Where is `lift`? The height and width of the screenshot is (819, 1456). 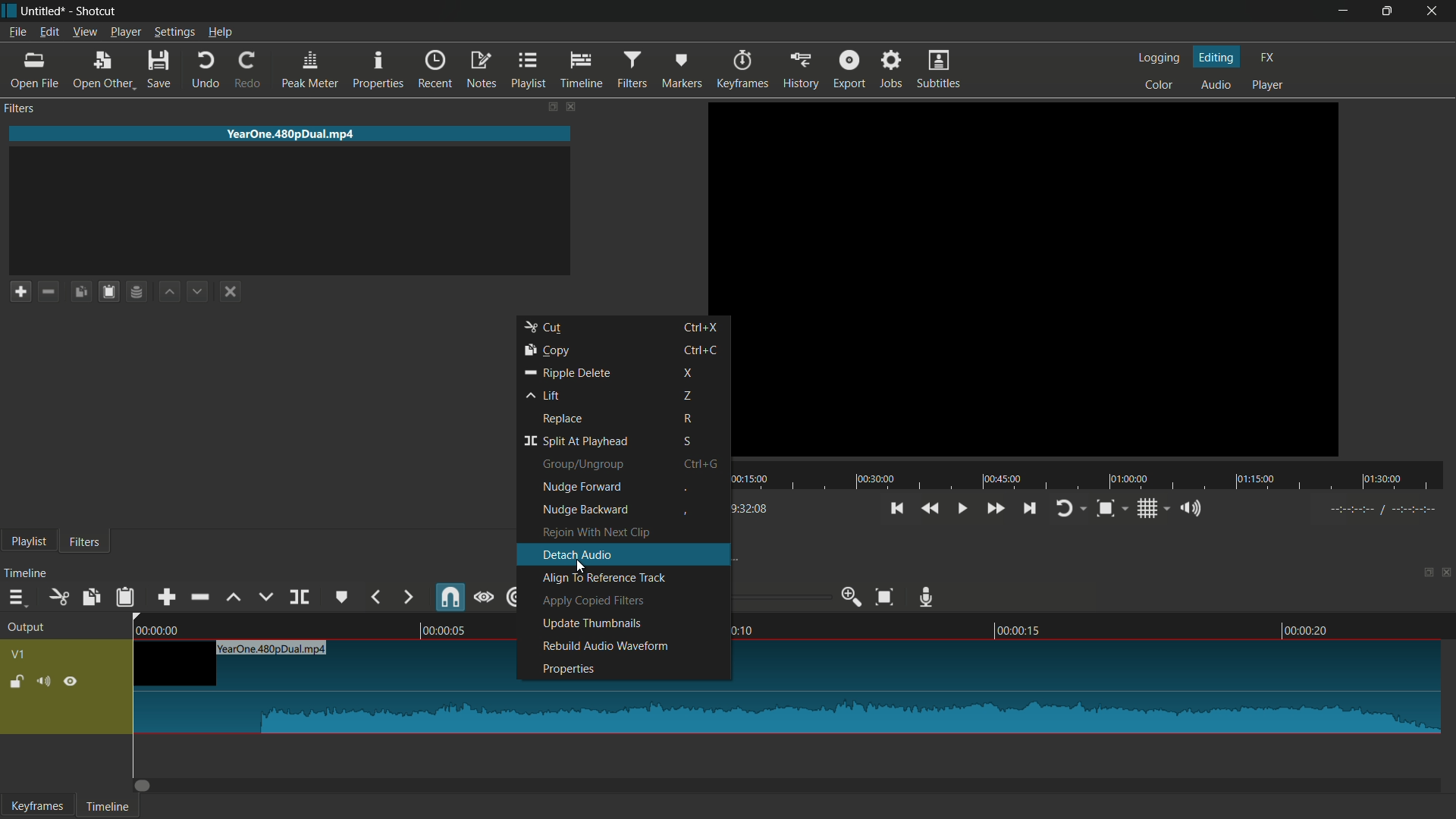 lift is located at coordinates (234, 600).